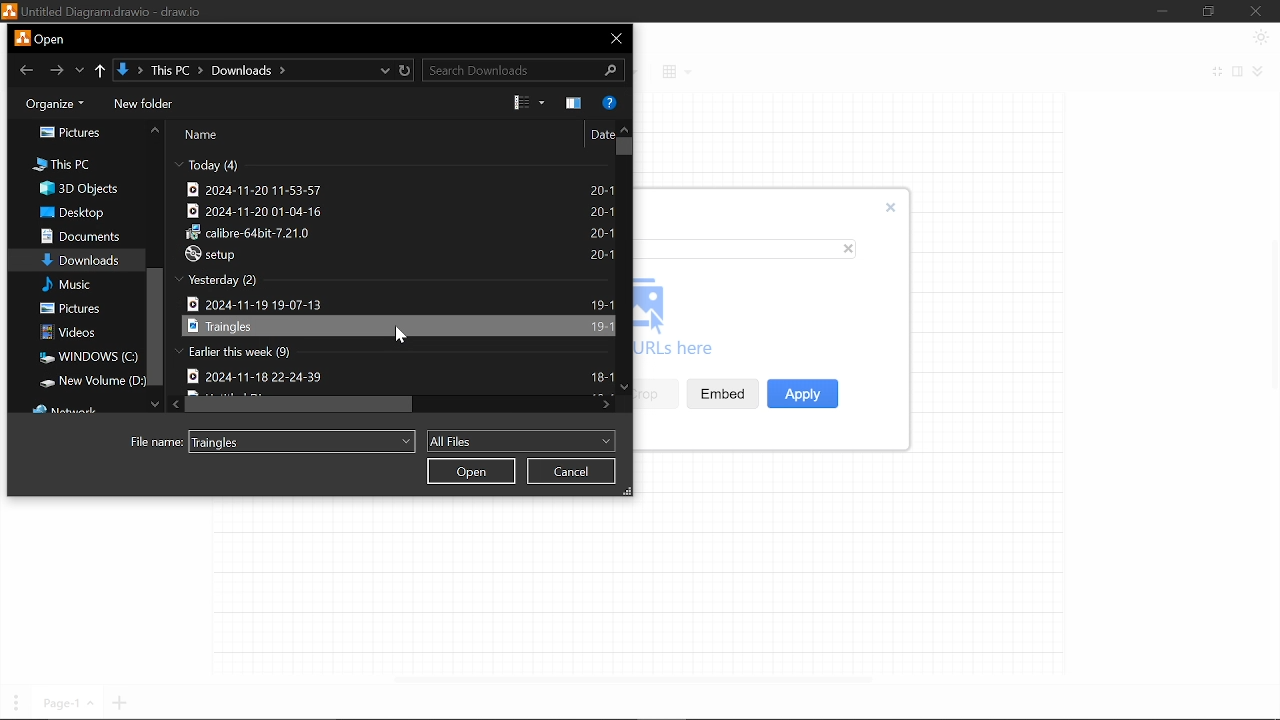 The height and width of the screenshot is (720, 1280). What do you see at coordinates (603, 213) in the screenshot?
I see `20-1` at bounding box center [603, 213].